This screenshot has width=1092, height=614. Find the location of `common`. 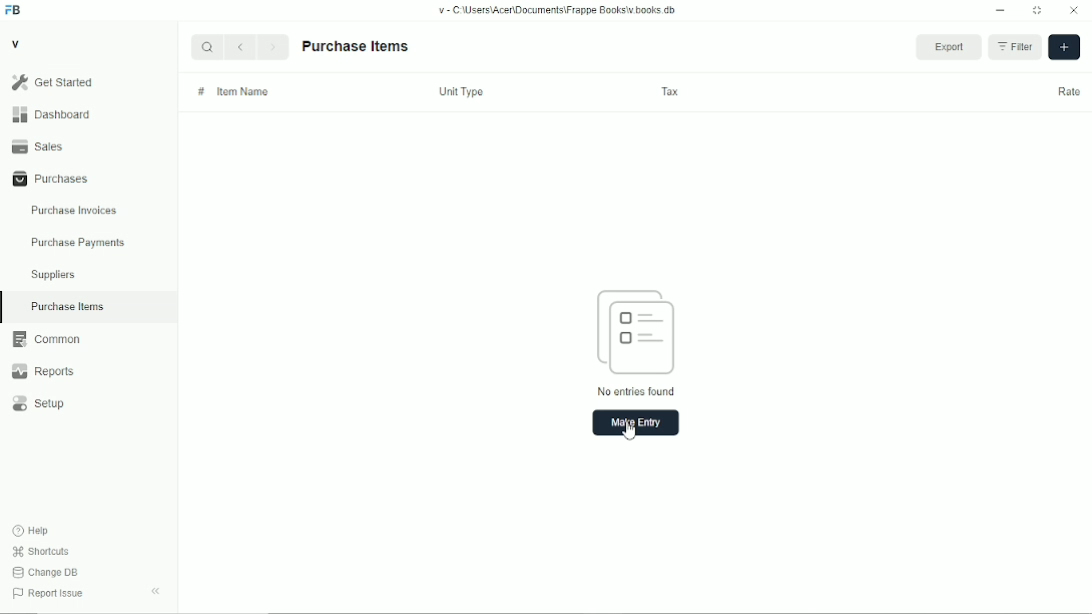

common is located at coordinates (47, 339).